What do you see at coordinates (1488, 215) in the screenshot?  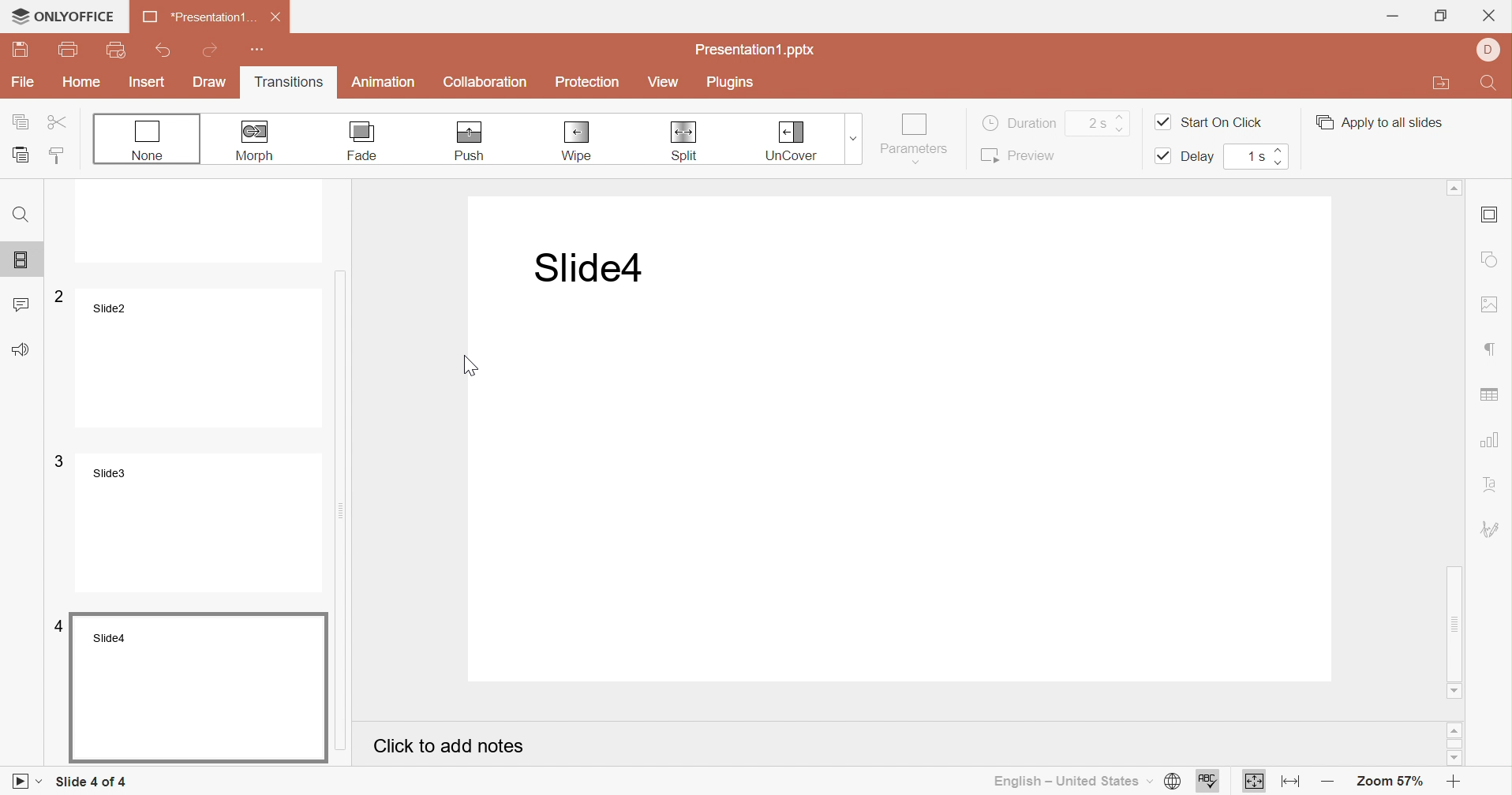 I see `Slide settings` at bounding box center [1488, 215].